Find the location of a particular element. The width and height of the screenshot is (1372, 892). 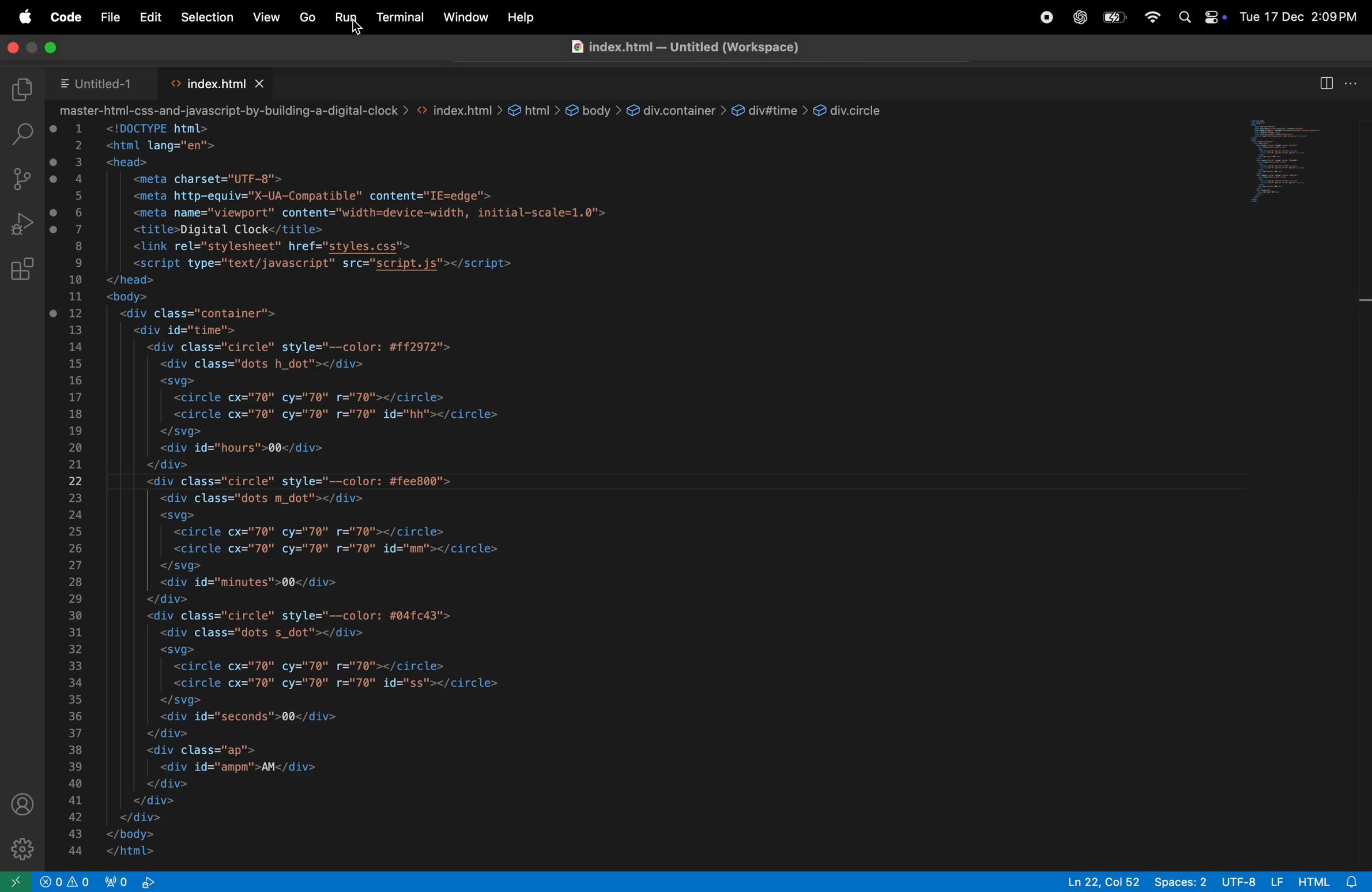

edit is located at coordinates (152, 18).